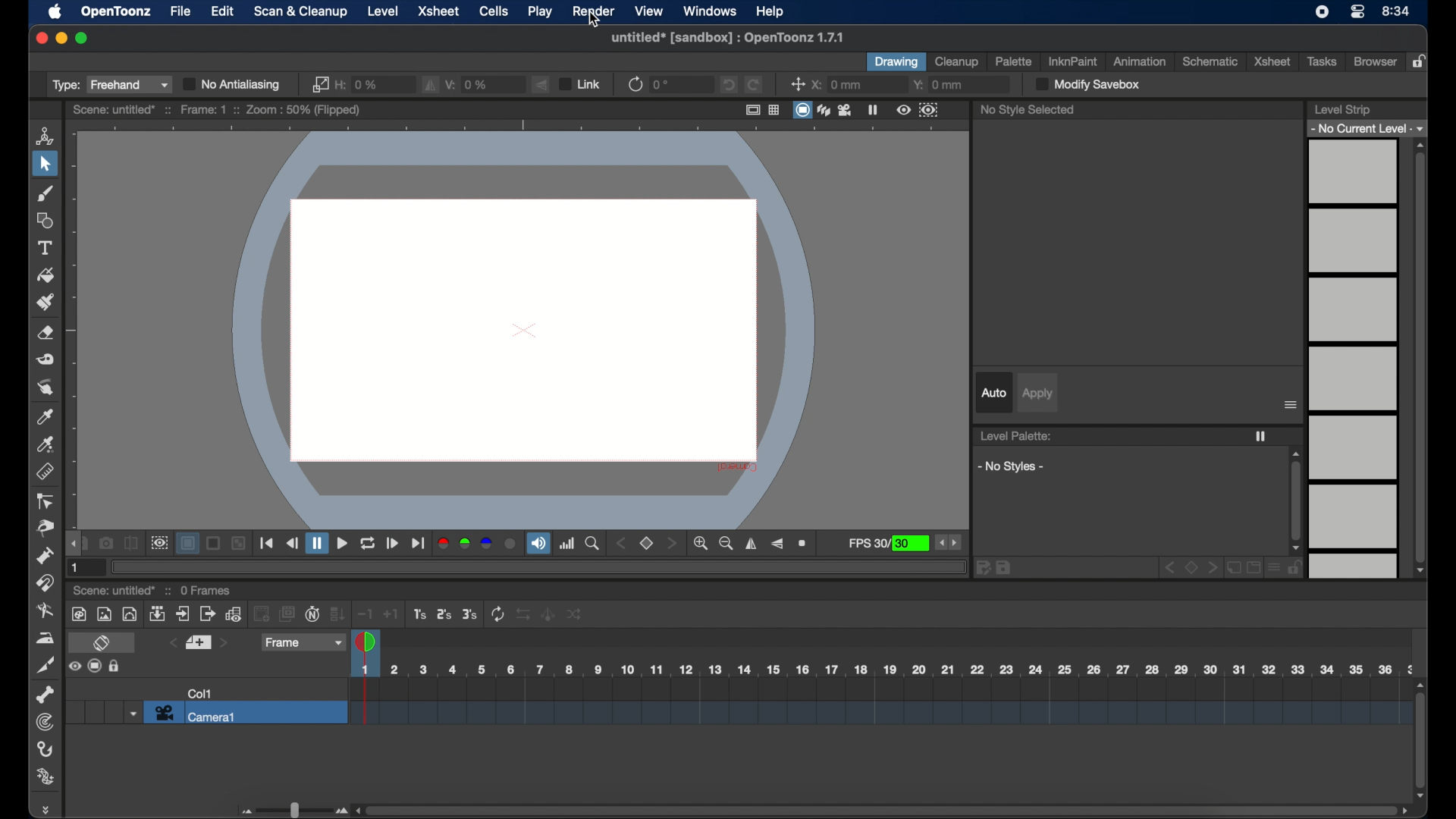 This screenshot has width=1456, height=819. Describe the element at coordinates (45, 220) in the screenshot. I see `shape tool` at that location.